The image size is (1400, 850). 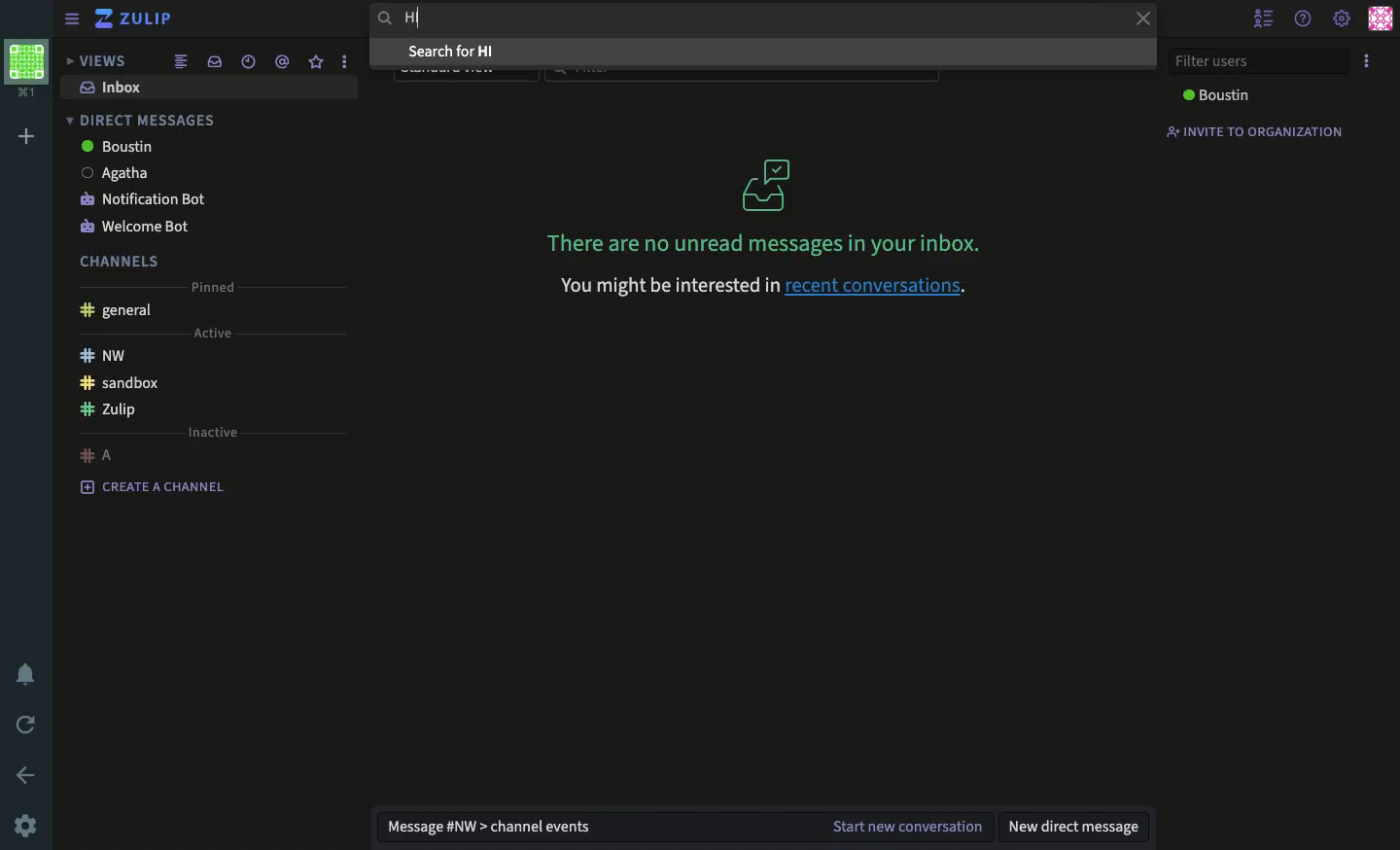 I want to click on zulip, so click(x=136, y=18).